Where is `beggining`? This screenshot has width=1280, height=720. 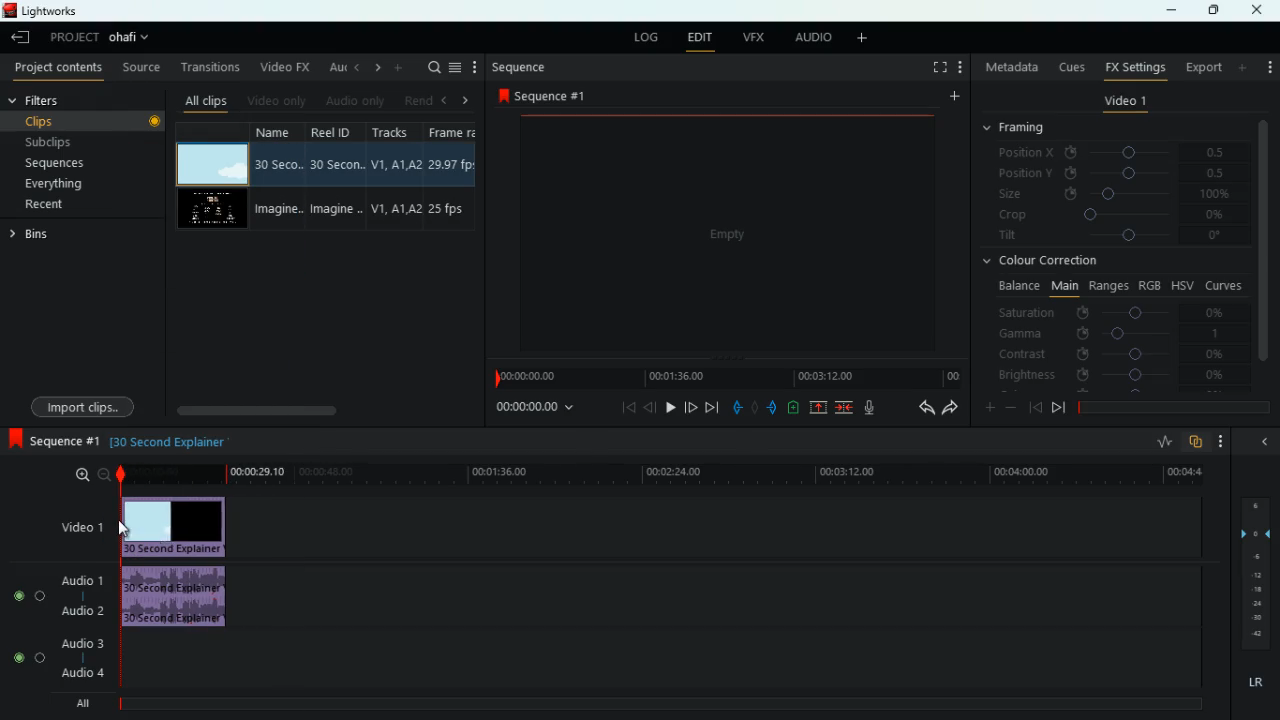
beggining is located at coordinates (1034, 406).